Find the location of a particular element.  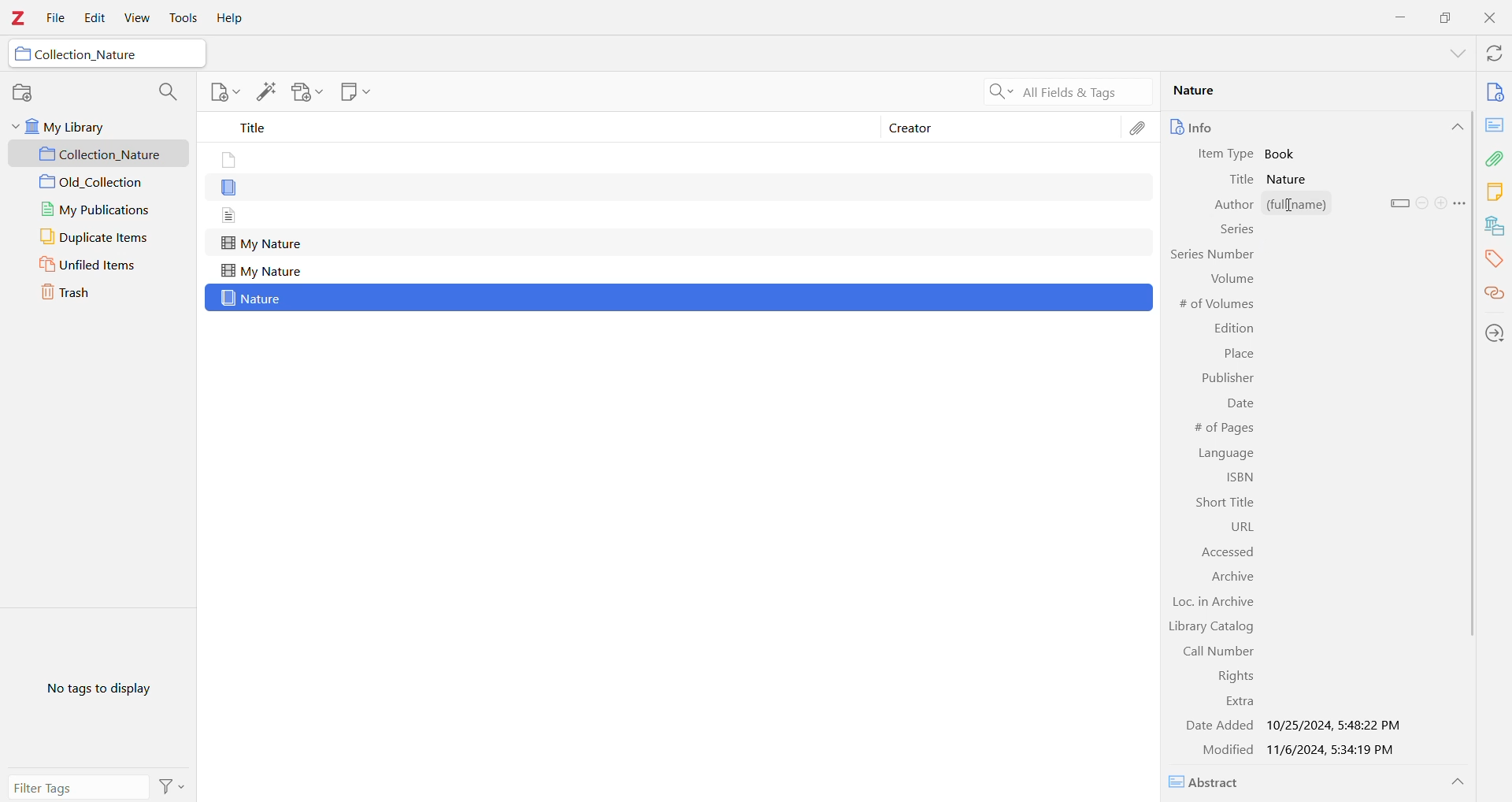

No tags to display is located at coordinates (103, 687).